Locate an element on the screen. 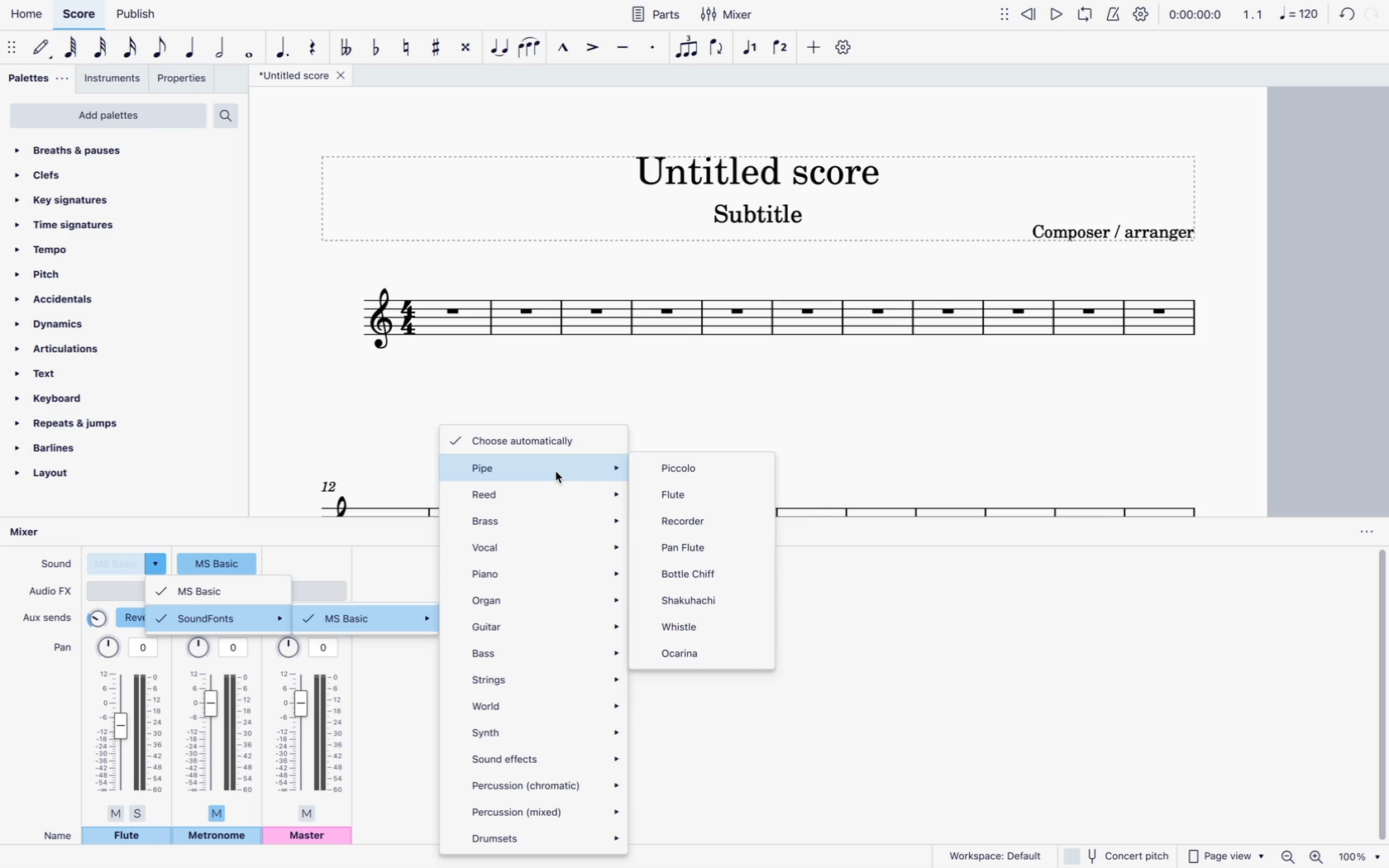 Image resolution: width=1389 pixels, height=868 pixels. vocal is located at coordinates (546, 545).